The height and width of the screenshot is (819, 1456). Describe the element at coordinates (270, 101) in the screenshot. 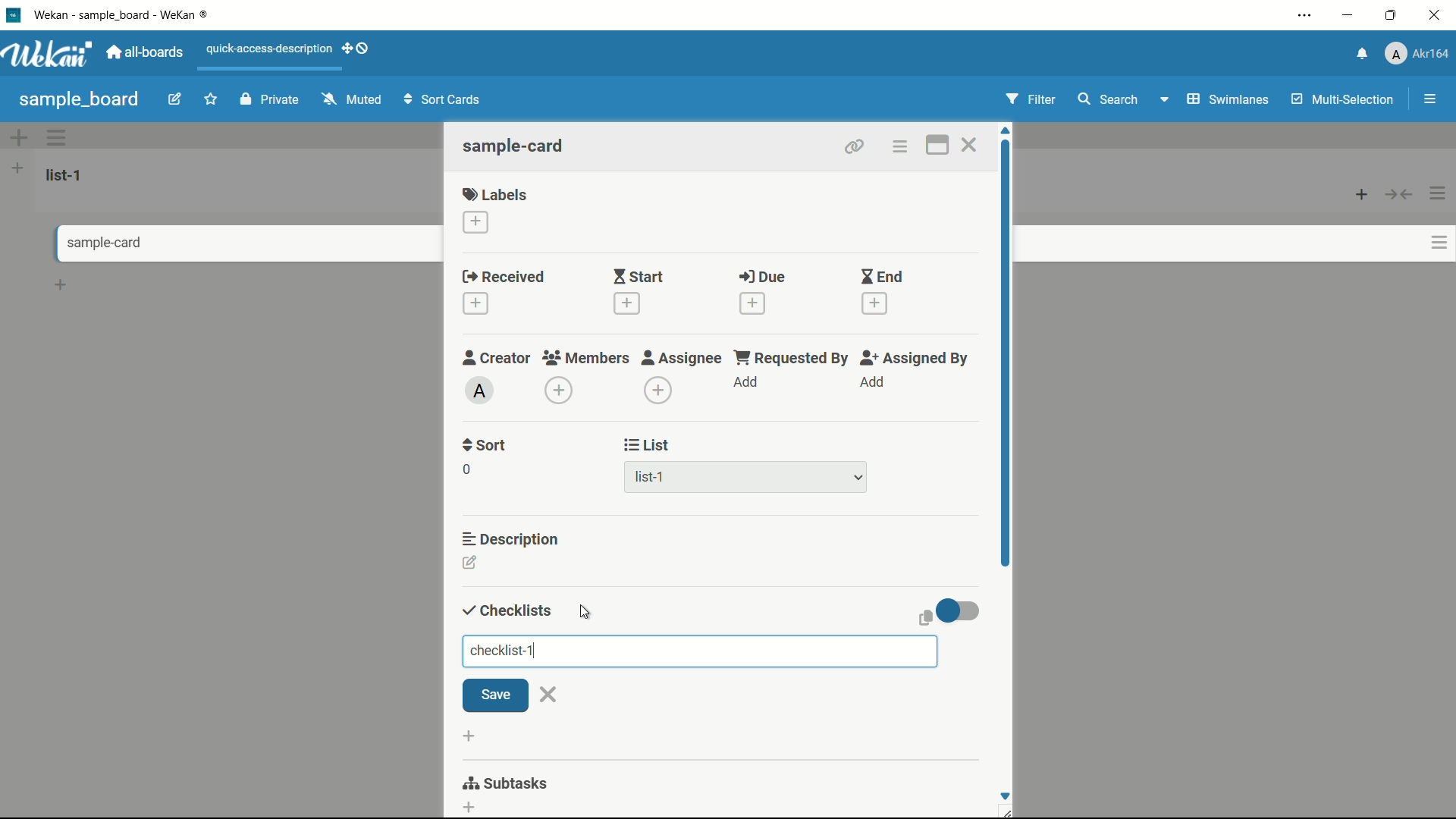

I see `private` at that location.